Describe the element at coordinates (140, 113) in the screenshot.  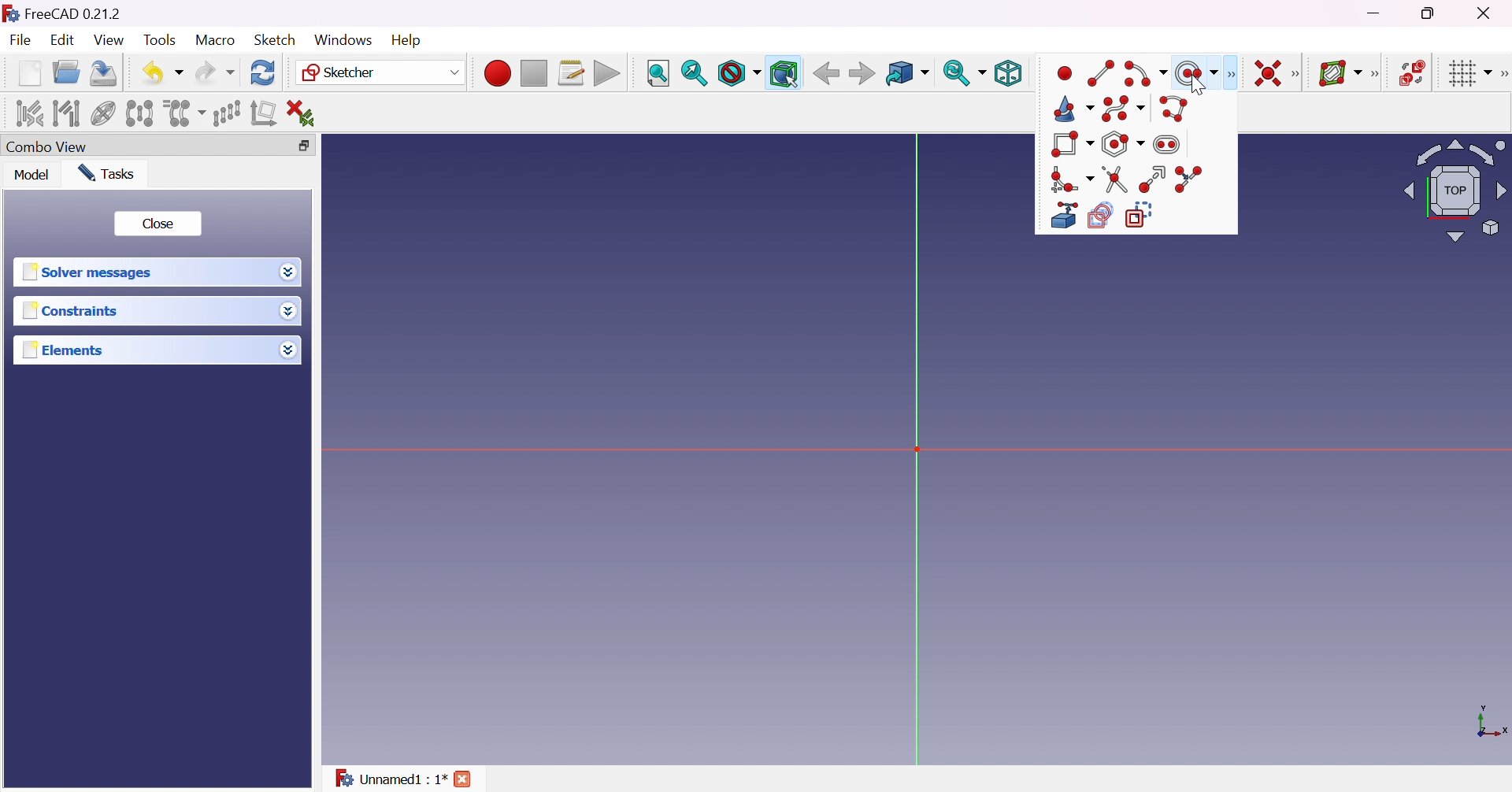
I see `Symmetry` at that location.